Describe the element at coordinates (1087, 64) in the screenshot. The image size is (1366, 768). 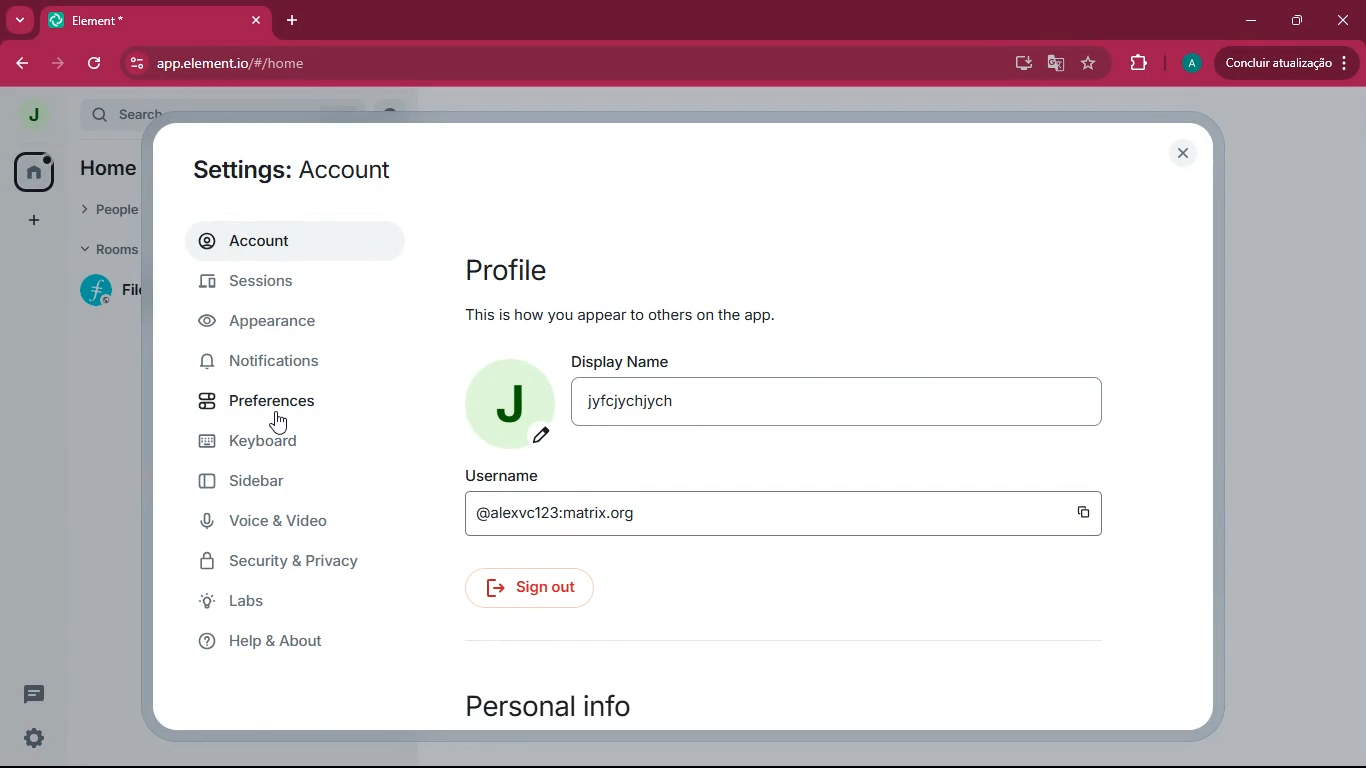
I see `favourite` at that location.